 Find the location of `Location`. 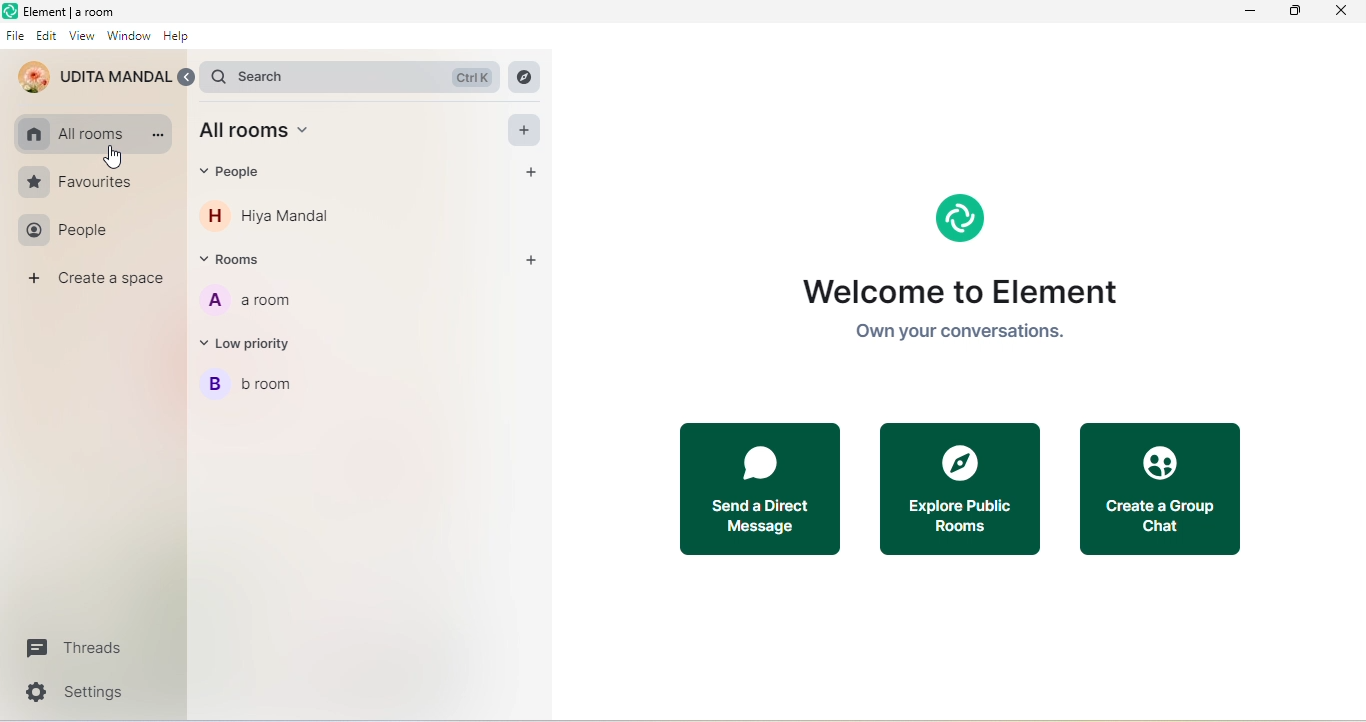

Location is located at coordinates (554, 76).